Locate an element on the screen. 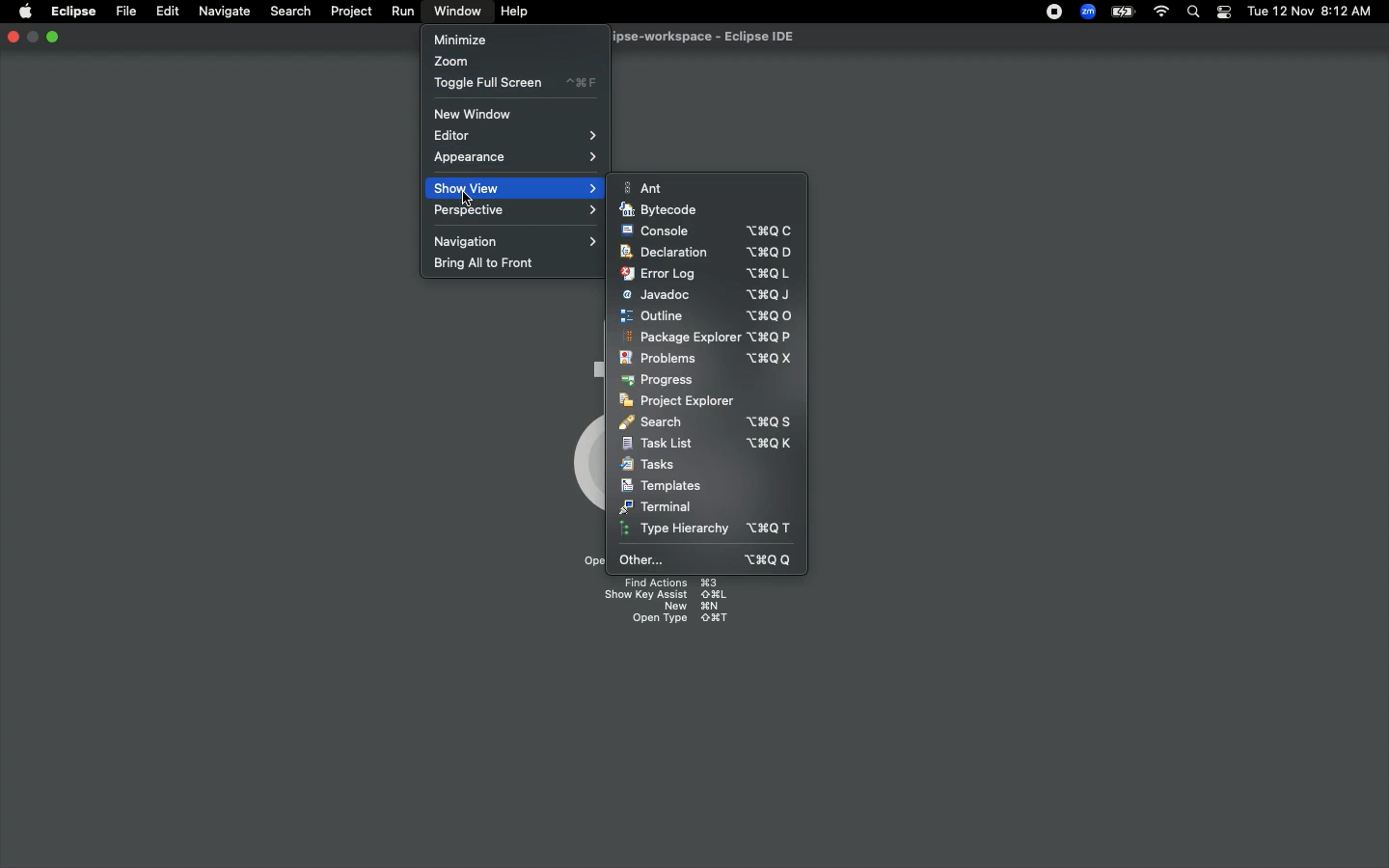  Zoom is located at coordinates (449, 61).